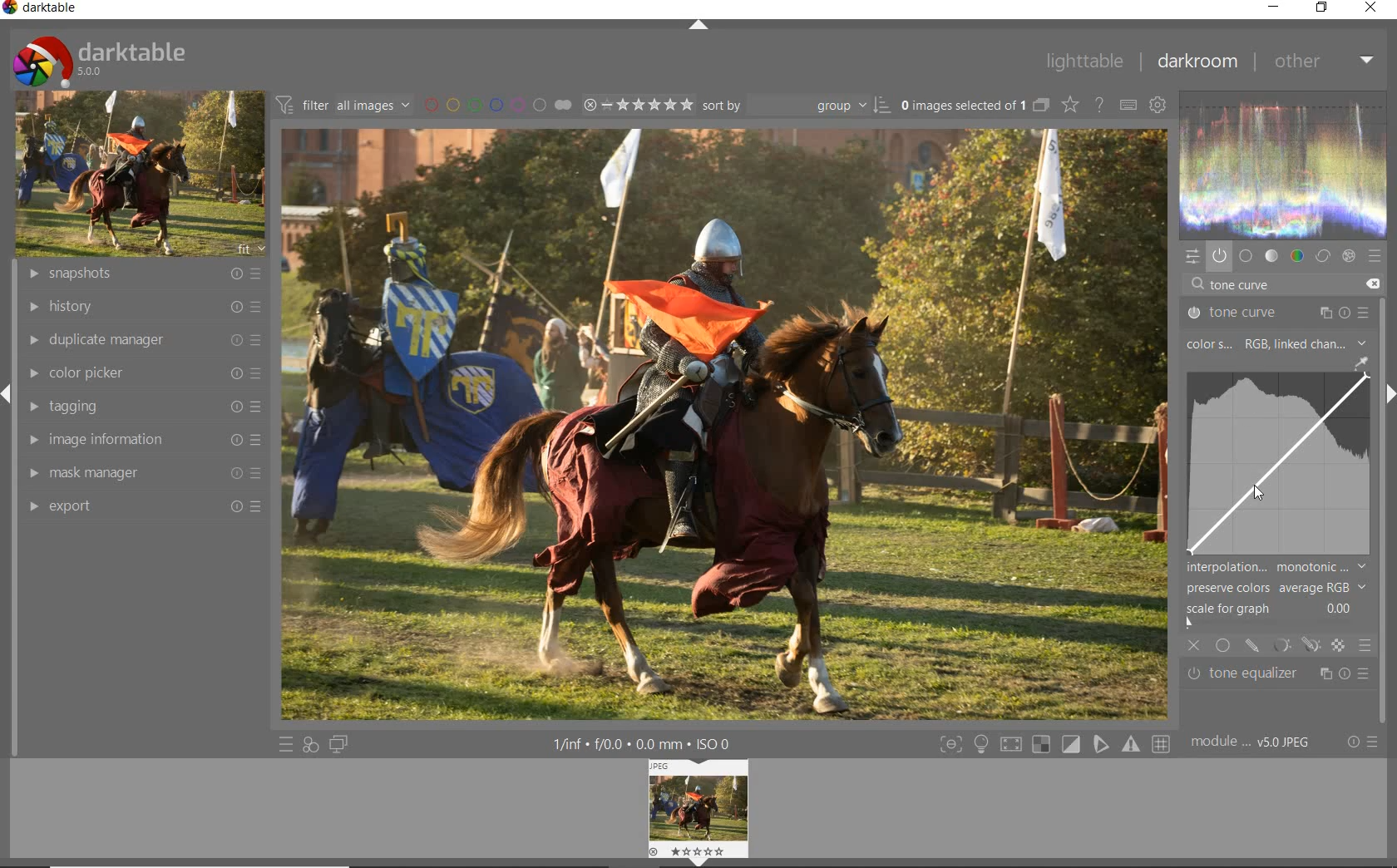 This screenshot has width=1397, height=868. I want to click on tagging, so click(141, 407).